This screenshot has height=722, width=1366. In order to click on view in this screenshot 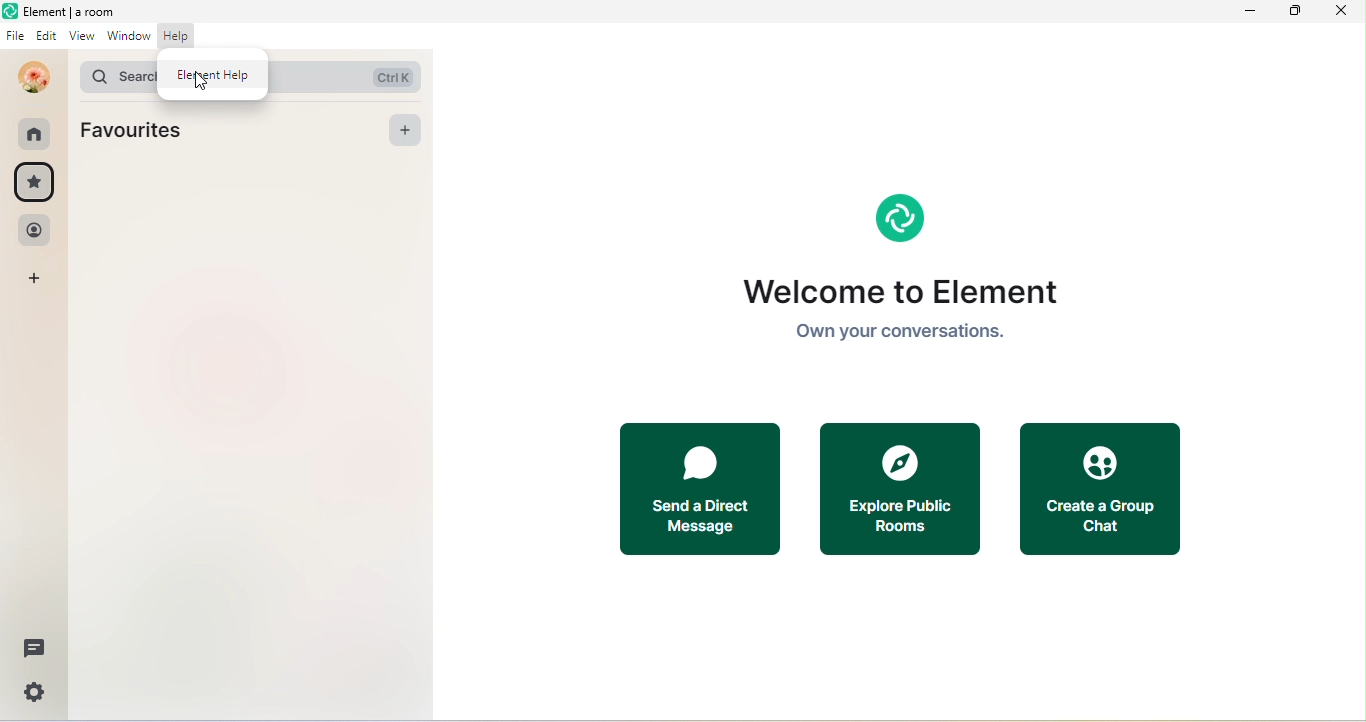, I will do `click(79, 36)`.